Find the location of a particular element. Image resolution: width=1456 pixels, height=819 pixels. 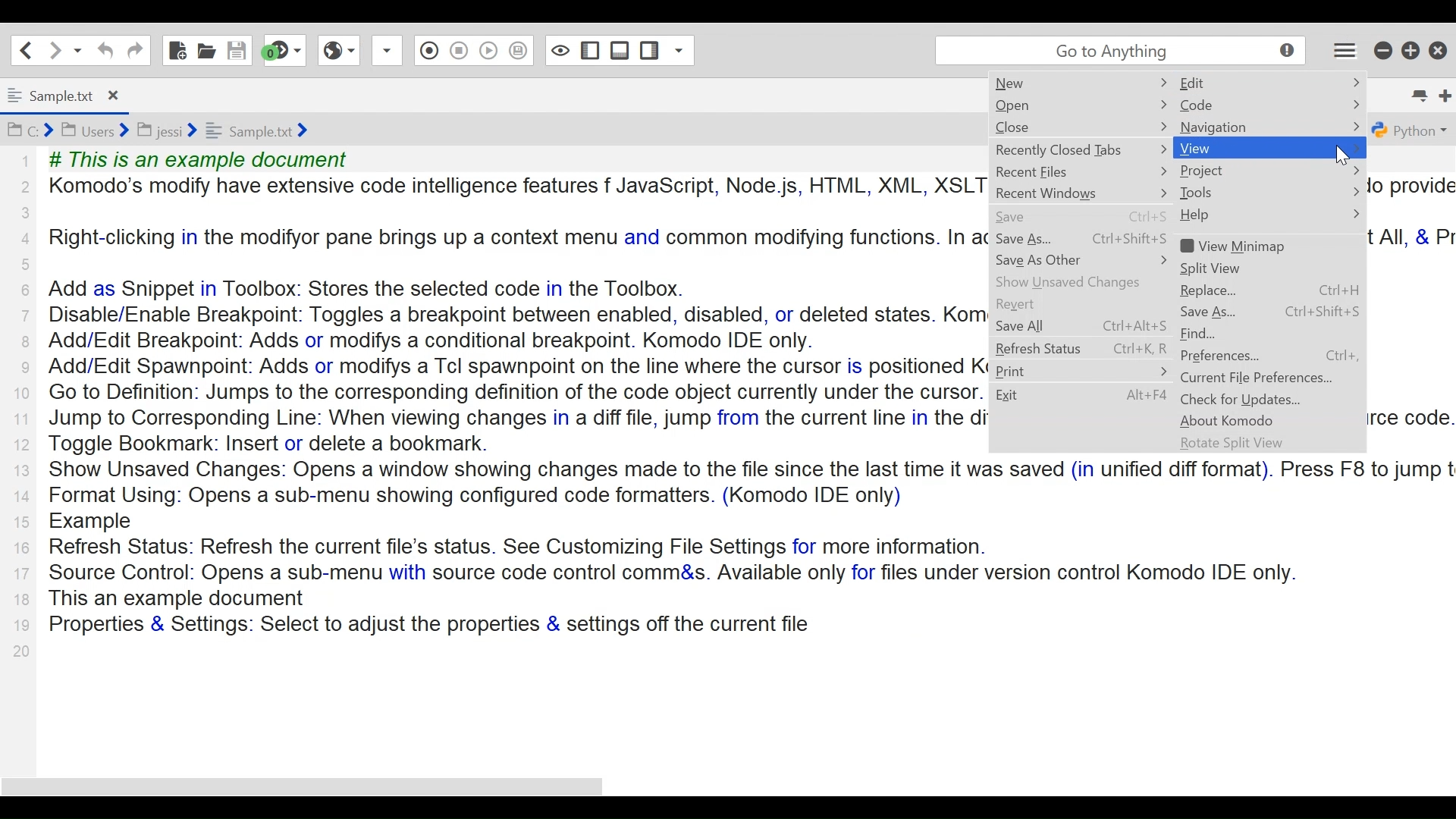

Show/Hide Left pane is located at coordinates (561, 50).